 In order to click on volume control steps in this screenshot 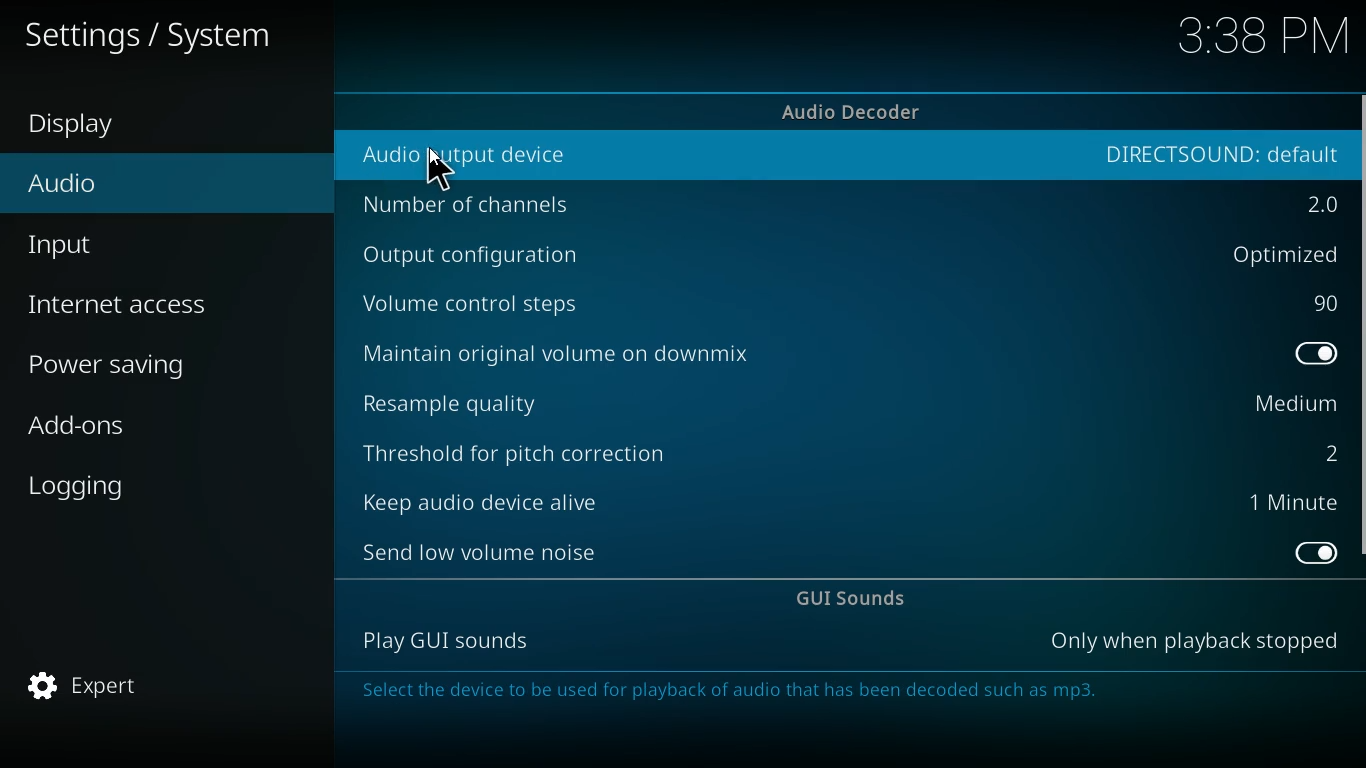, I will do `click(494, 302)`.